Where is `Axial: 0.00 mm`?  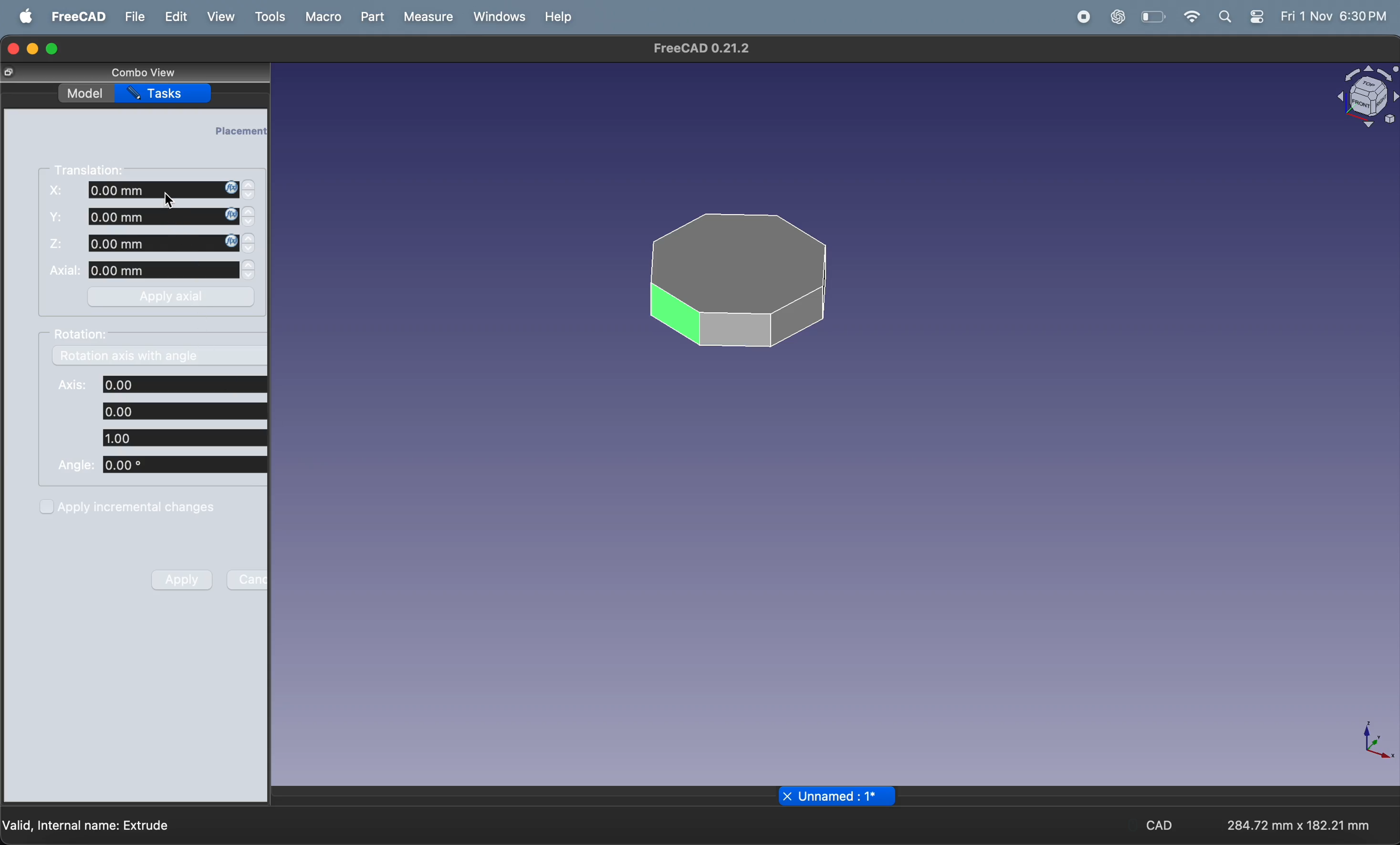 Axial: 0.00 mm is located at coordinates (143, 271).